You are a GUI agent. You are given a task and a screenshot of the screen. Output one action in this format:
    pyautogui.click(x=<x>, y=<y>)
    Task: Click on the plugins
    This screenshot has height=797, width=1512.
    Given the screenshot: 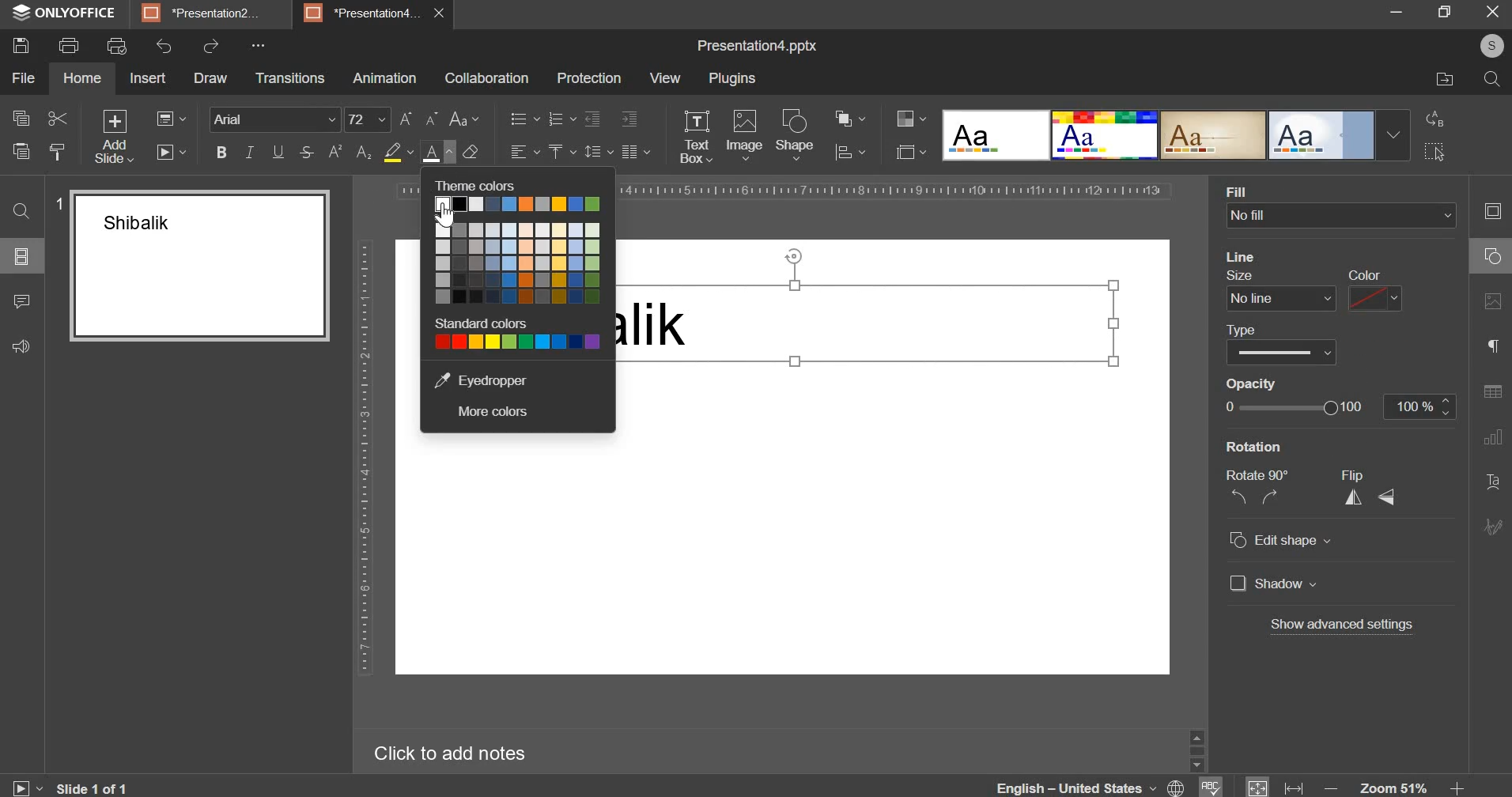 What is the action you would take?
    pyautogui.click(x=732, y=80)
    